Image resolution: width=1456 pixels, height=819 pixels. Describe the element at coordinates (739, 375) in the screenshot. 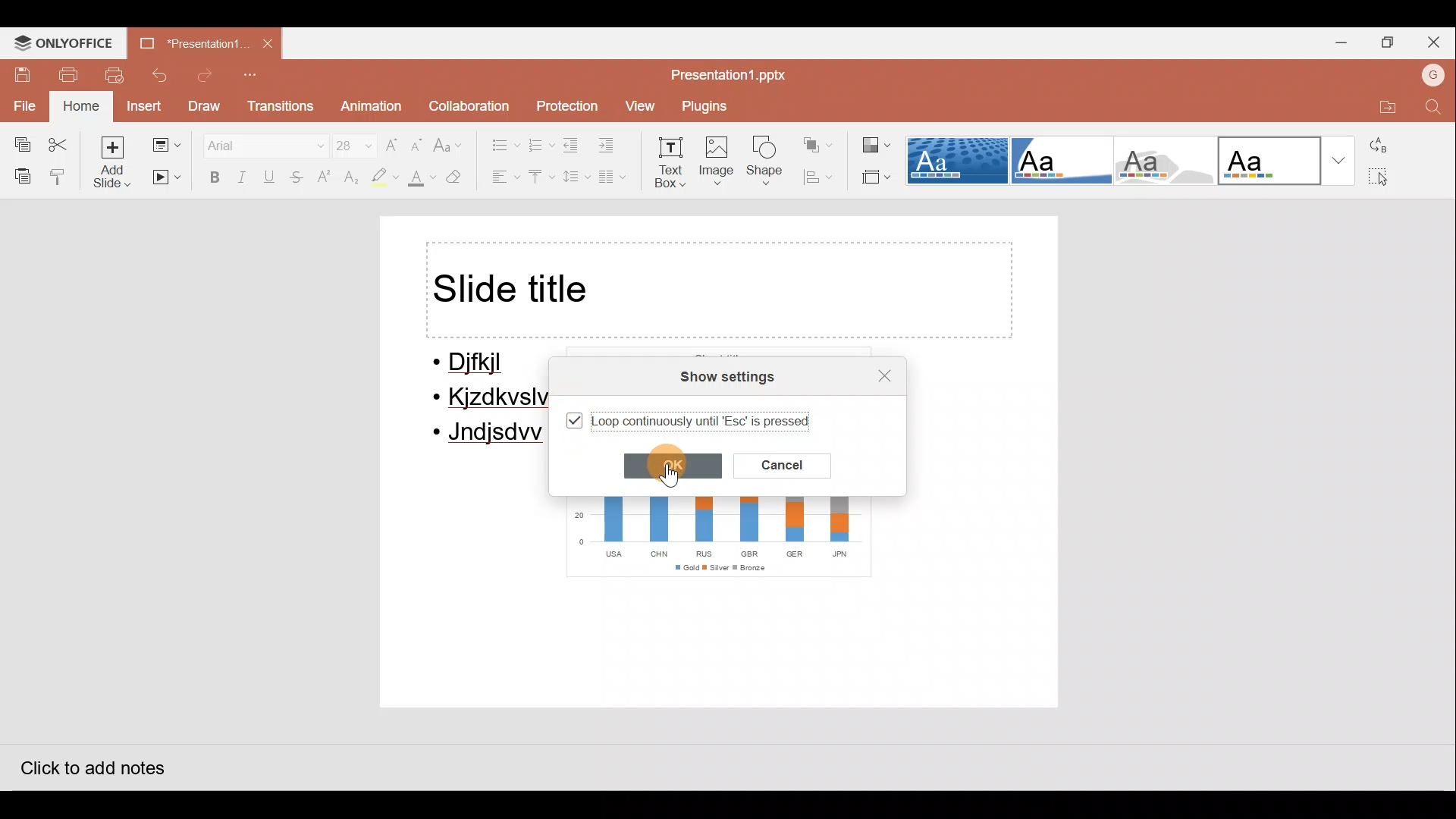

I see `Show settings` at that location.